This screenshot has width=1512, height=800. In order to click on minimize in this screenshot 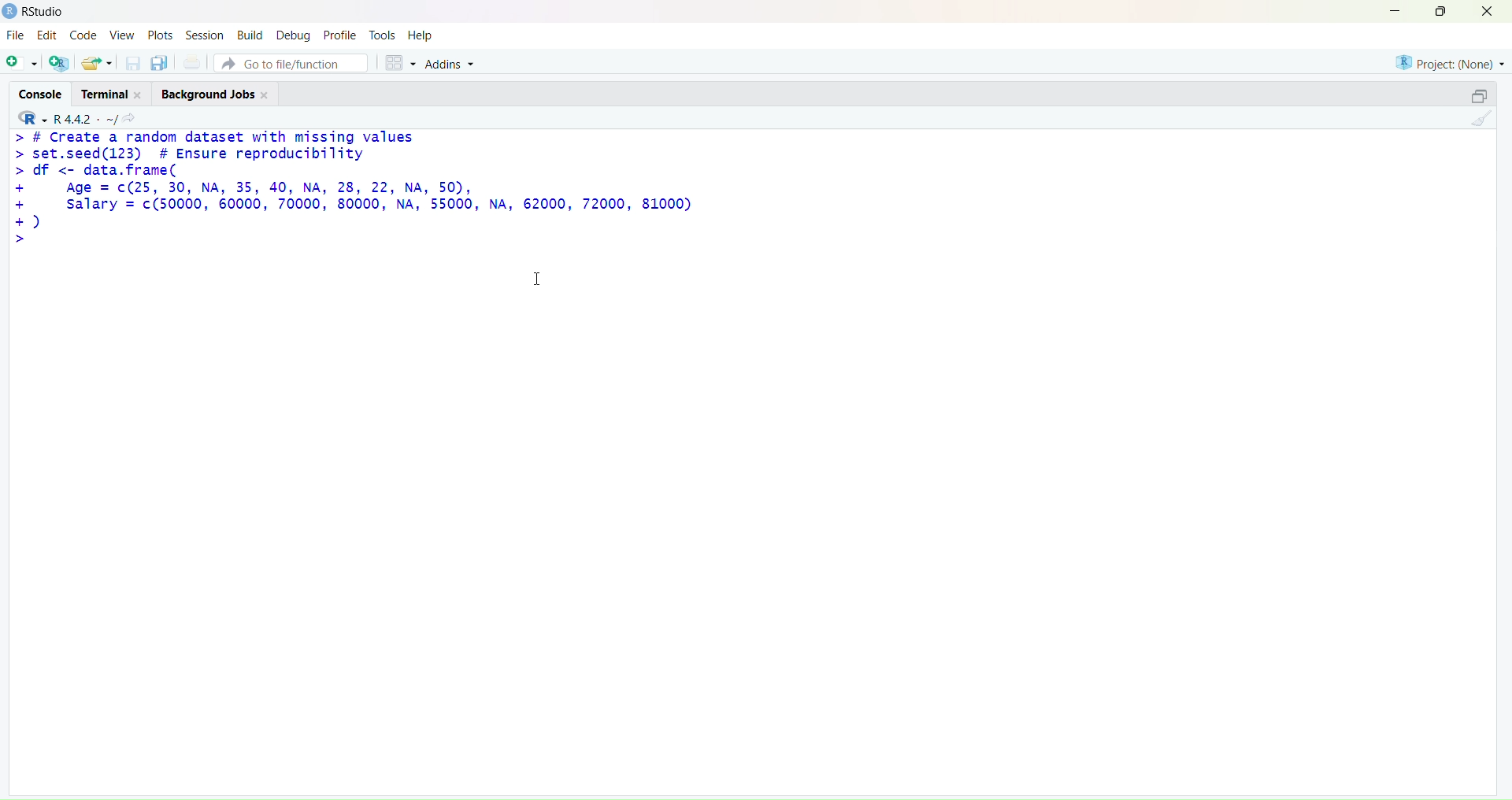, I will do `click(1390, 10)`.